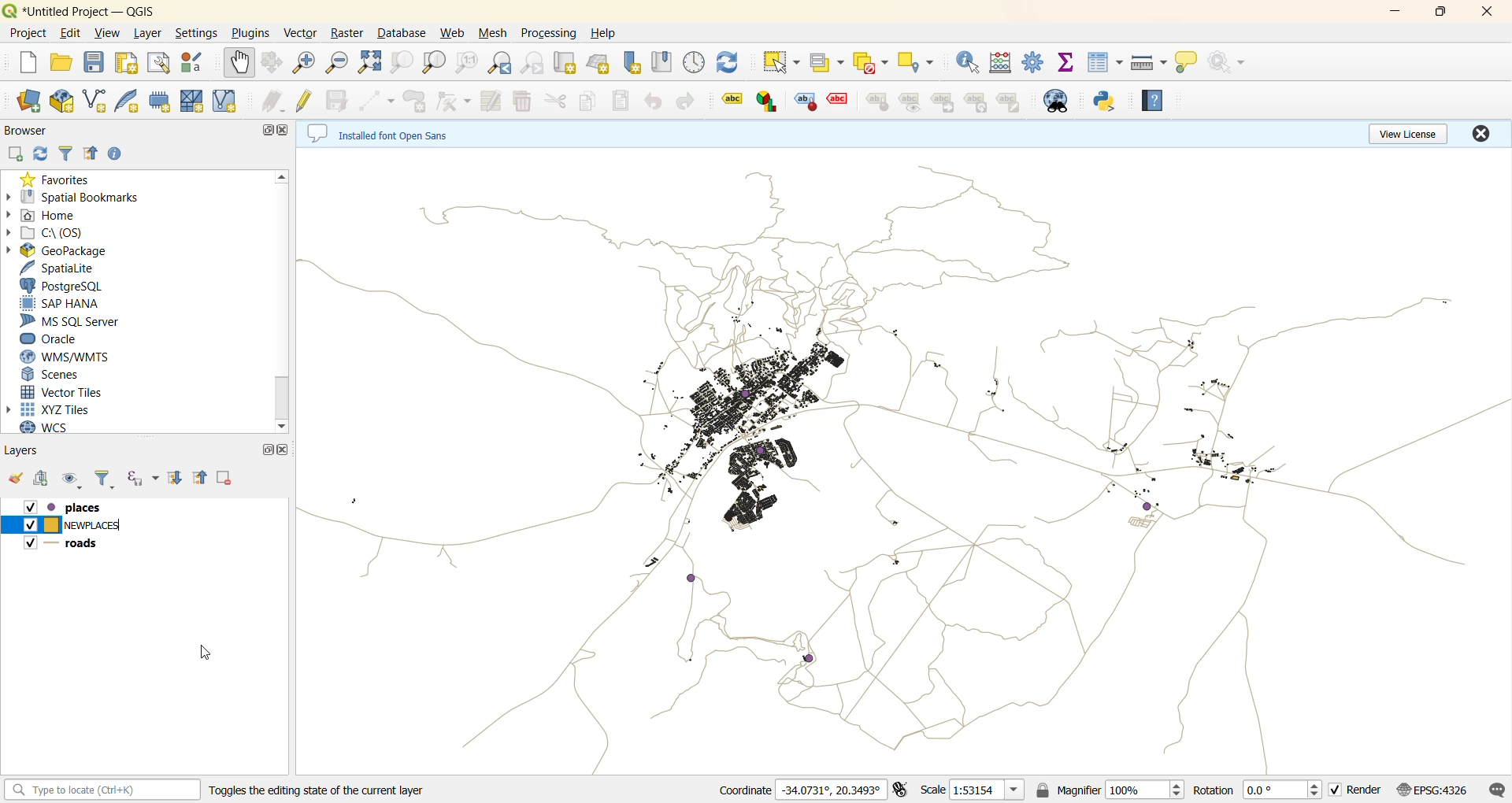 This screenshot has width=1512, height=803. Describe the element at coordinates (57, 340) in the screenshot. I see `oracle` at that location.